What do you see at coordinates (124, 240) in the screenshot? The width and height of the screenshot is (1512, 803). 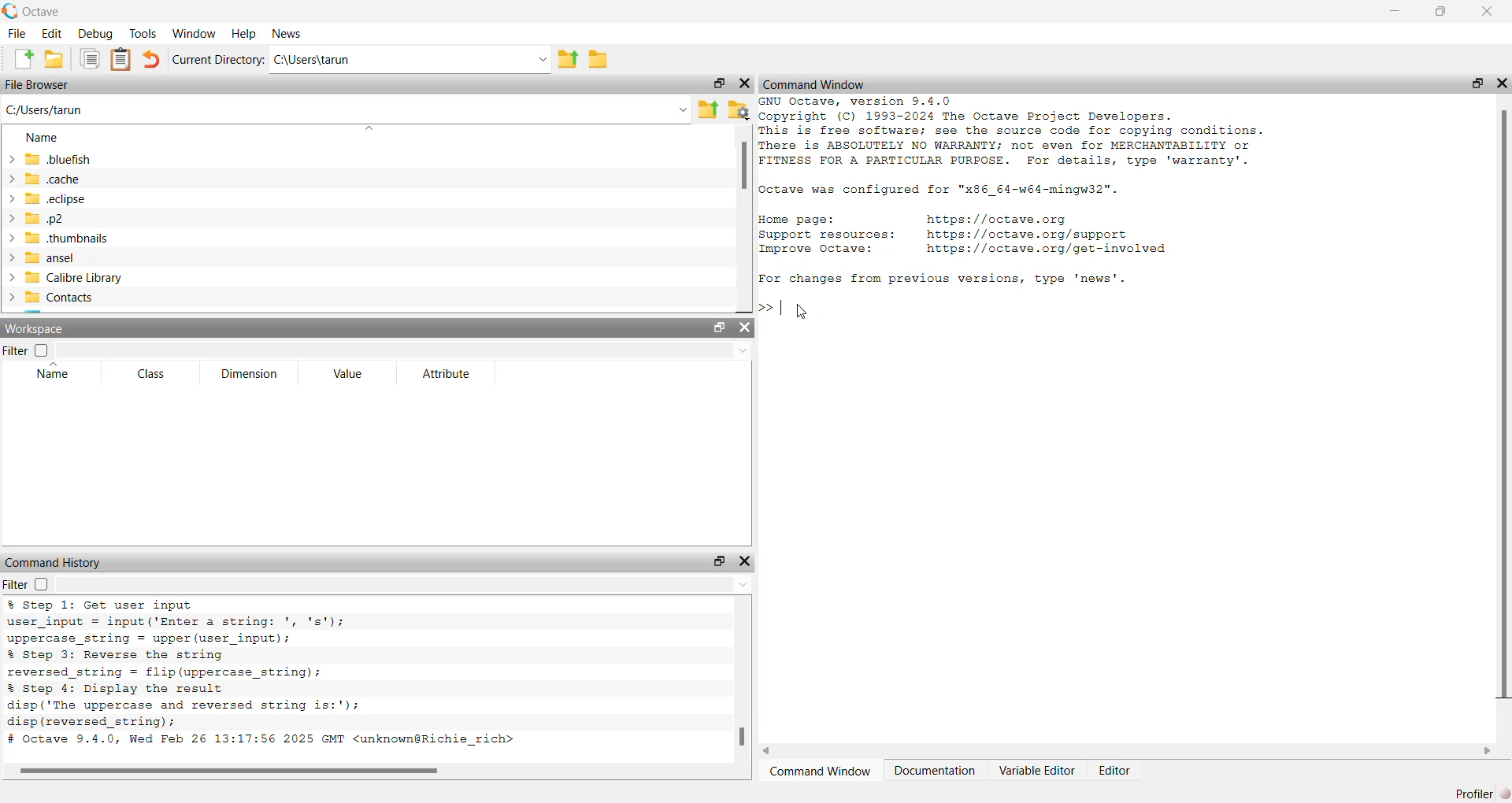 I see `.thumbnails` at bounding box center [124, 240].